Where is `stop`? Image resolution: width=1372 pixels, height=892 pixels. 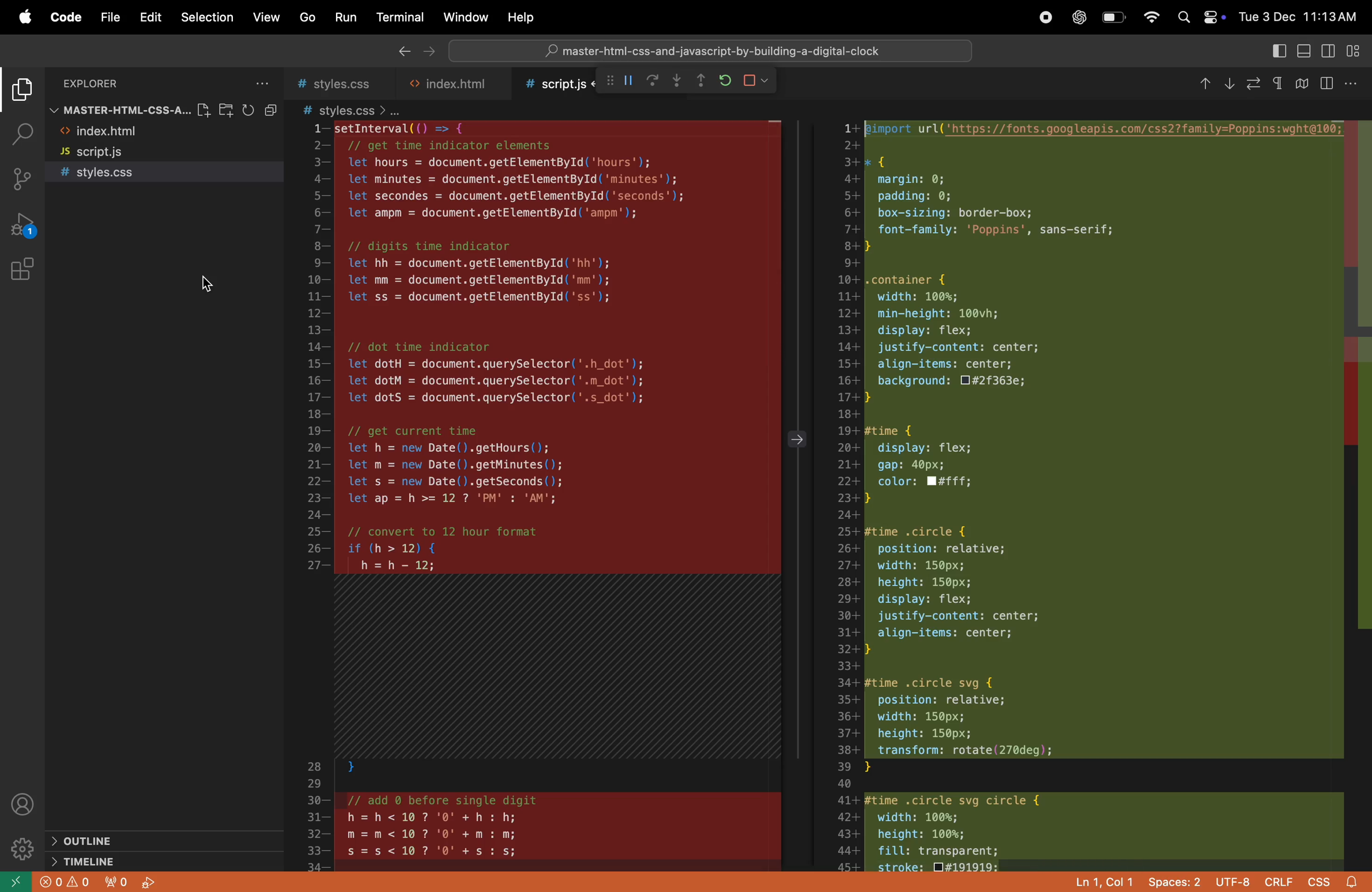 stop is located at coordinates (758, 80).